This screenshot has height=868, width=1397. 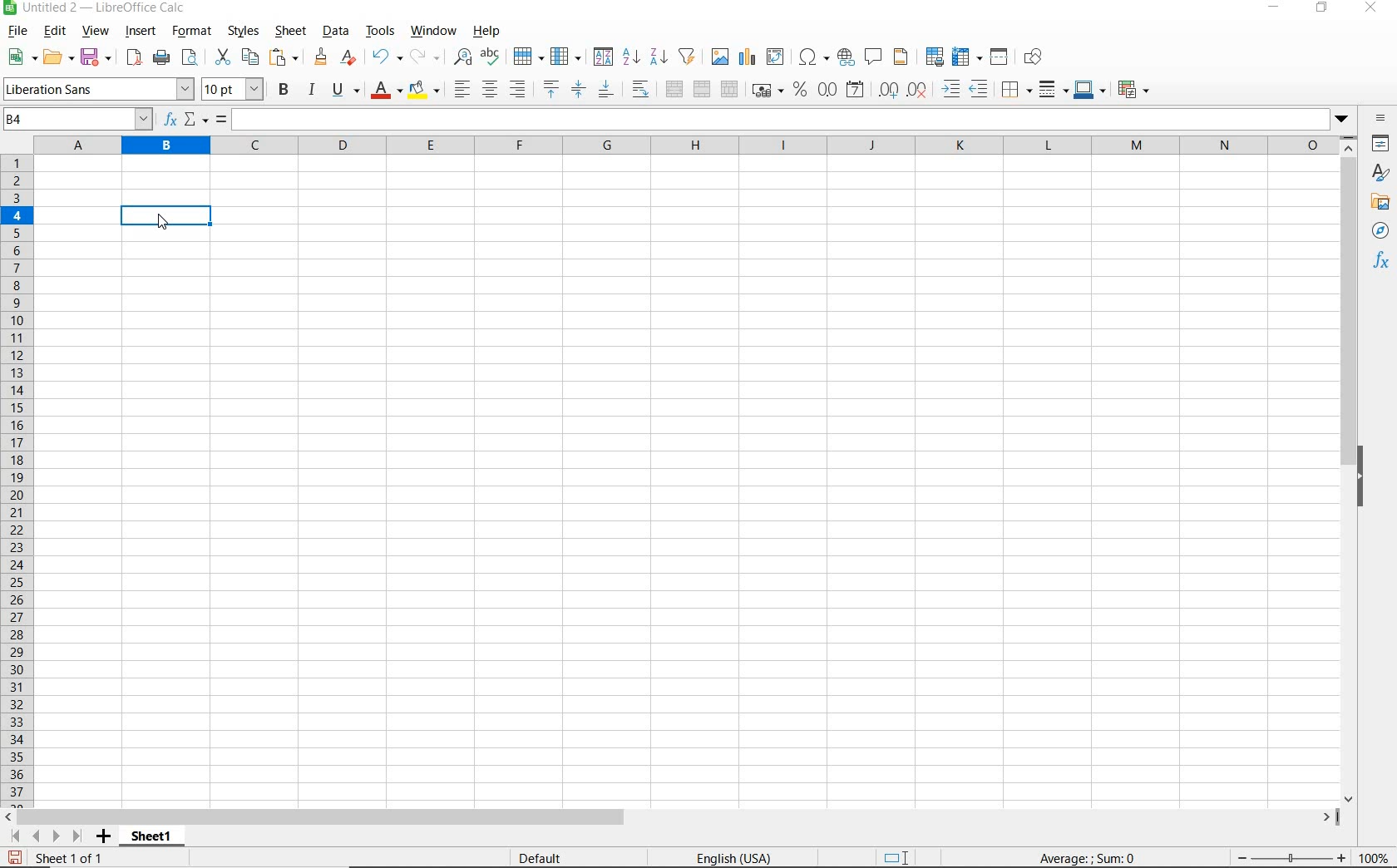 What do you see at coordinates (1366, 476) in the screenshot?
I see `hide` at bounding box center [1366, 476].